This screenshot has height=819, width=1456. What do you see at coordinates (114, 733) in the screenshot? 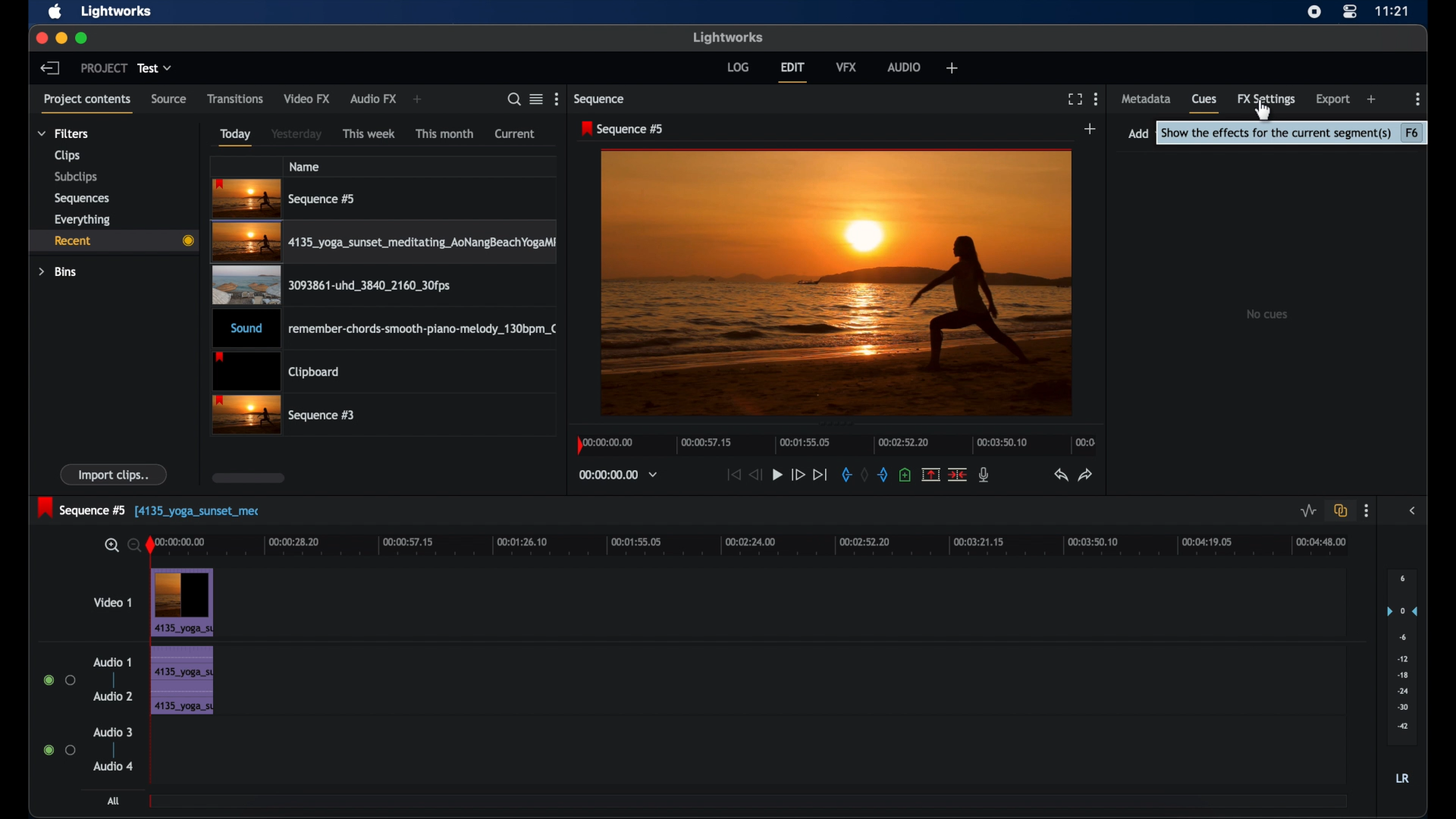
I see `audio 3` at bounding box center [114, 733].